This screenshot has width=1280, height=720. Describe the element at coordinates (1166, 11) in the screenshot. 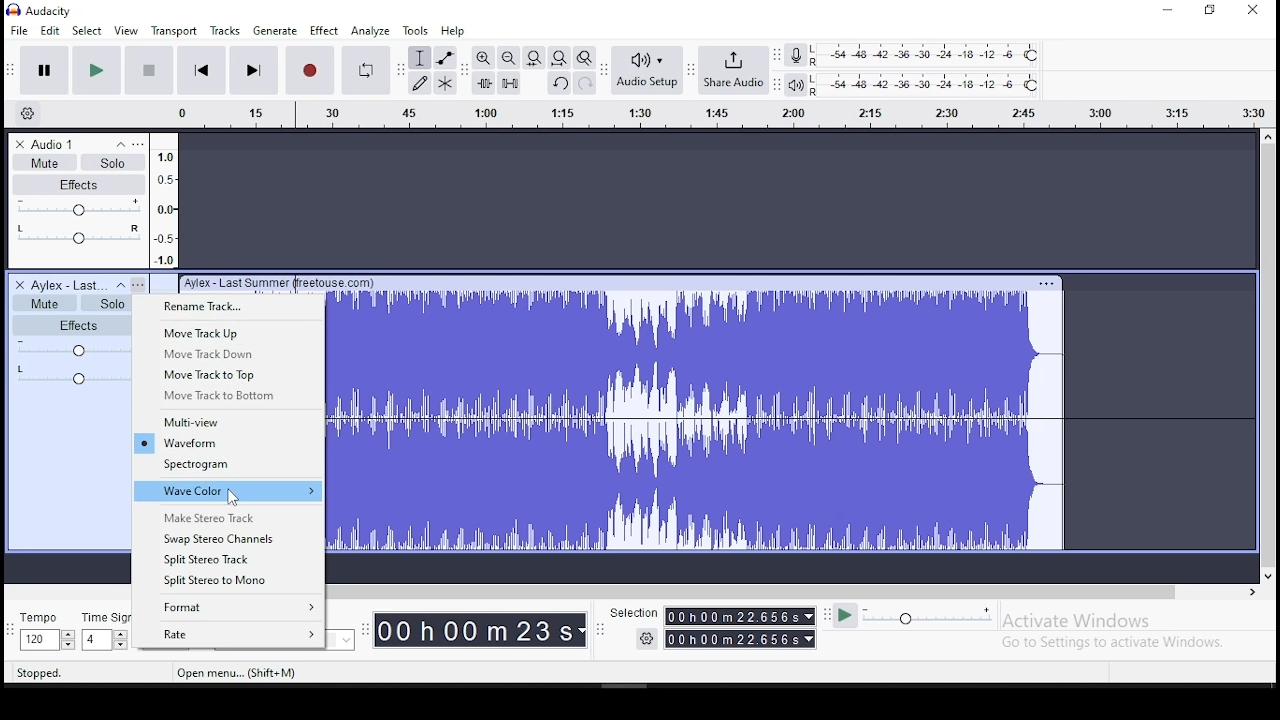

I see `minimize` at that location.